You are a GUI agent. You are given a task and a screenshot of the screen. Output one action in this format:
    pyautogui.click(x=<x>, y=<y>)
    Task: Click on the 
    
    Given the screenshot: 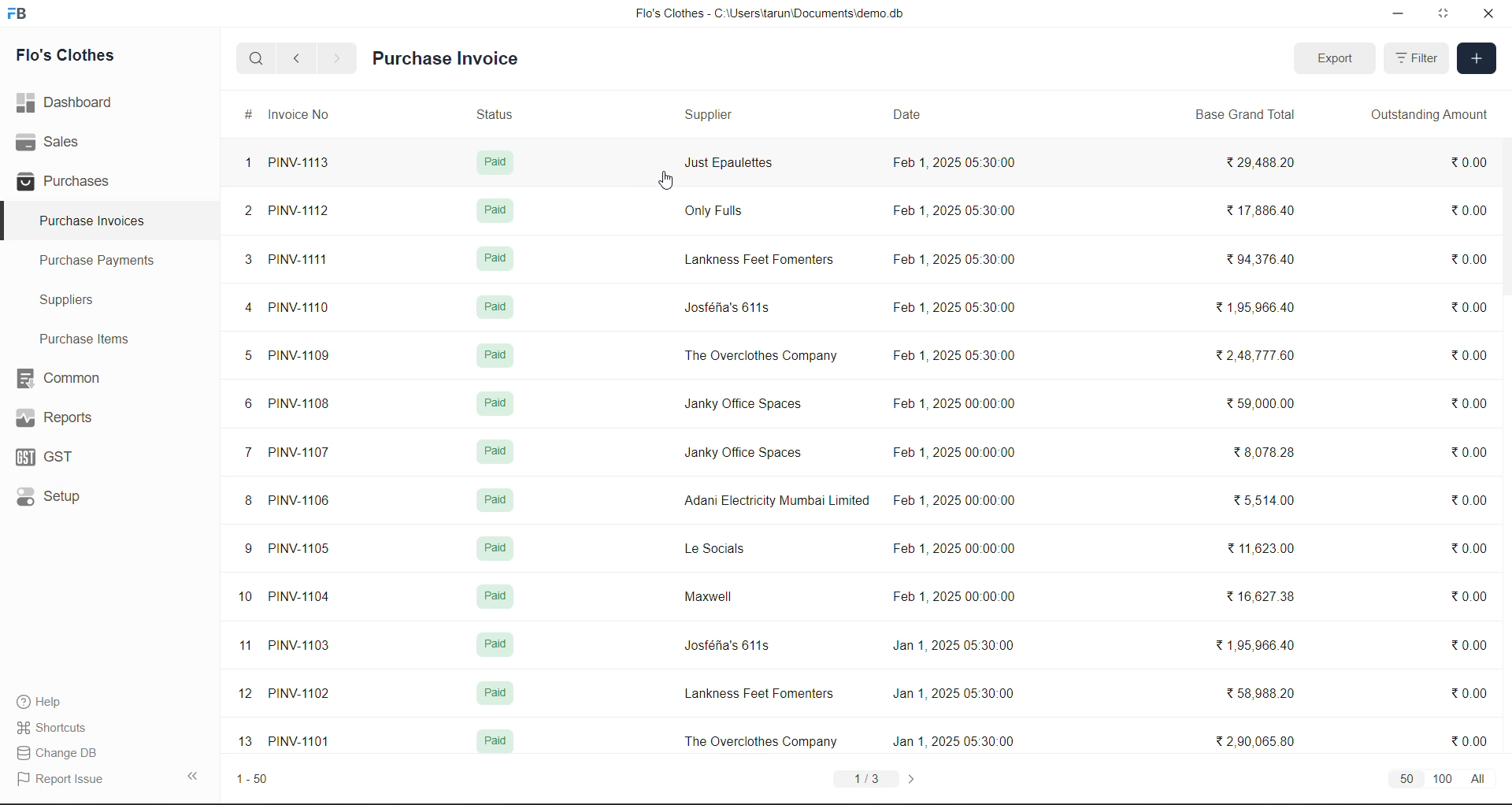 What is the action you would take?
    pyautogui.click(x=492, y=213)
    